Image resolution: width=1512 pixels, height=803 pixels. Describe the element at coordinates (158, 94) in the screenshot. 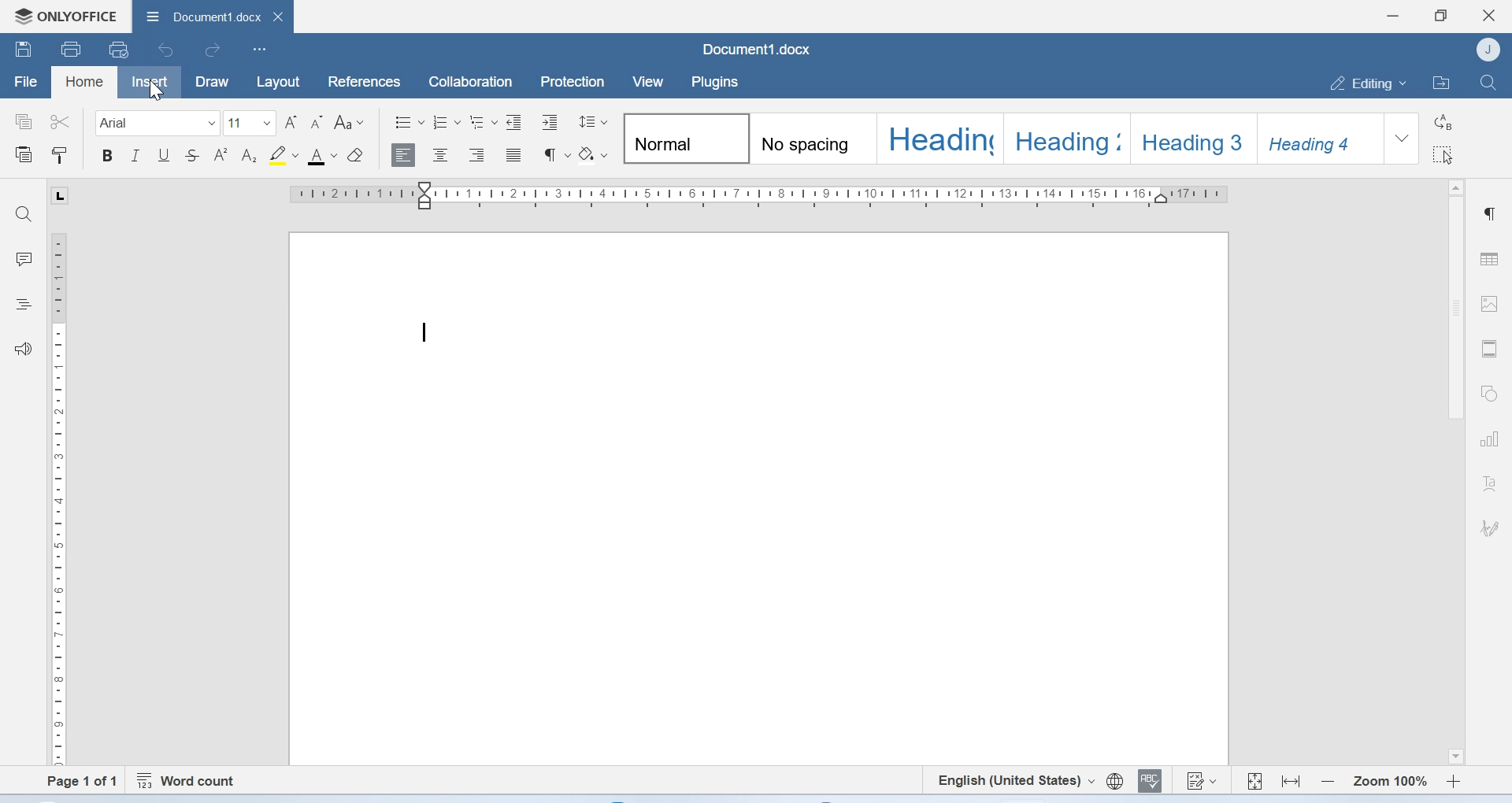

I see `Cursor` at that location.